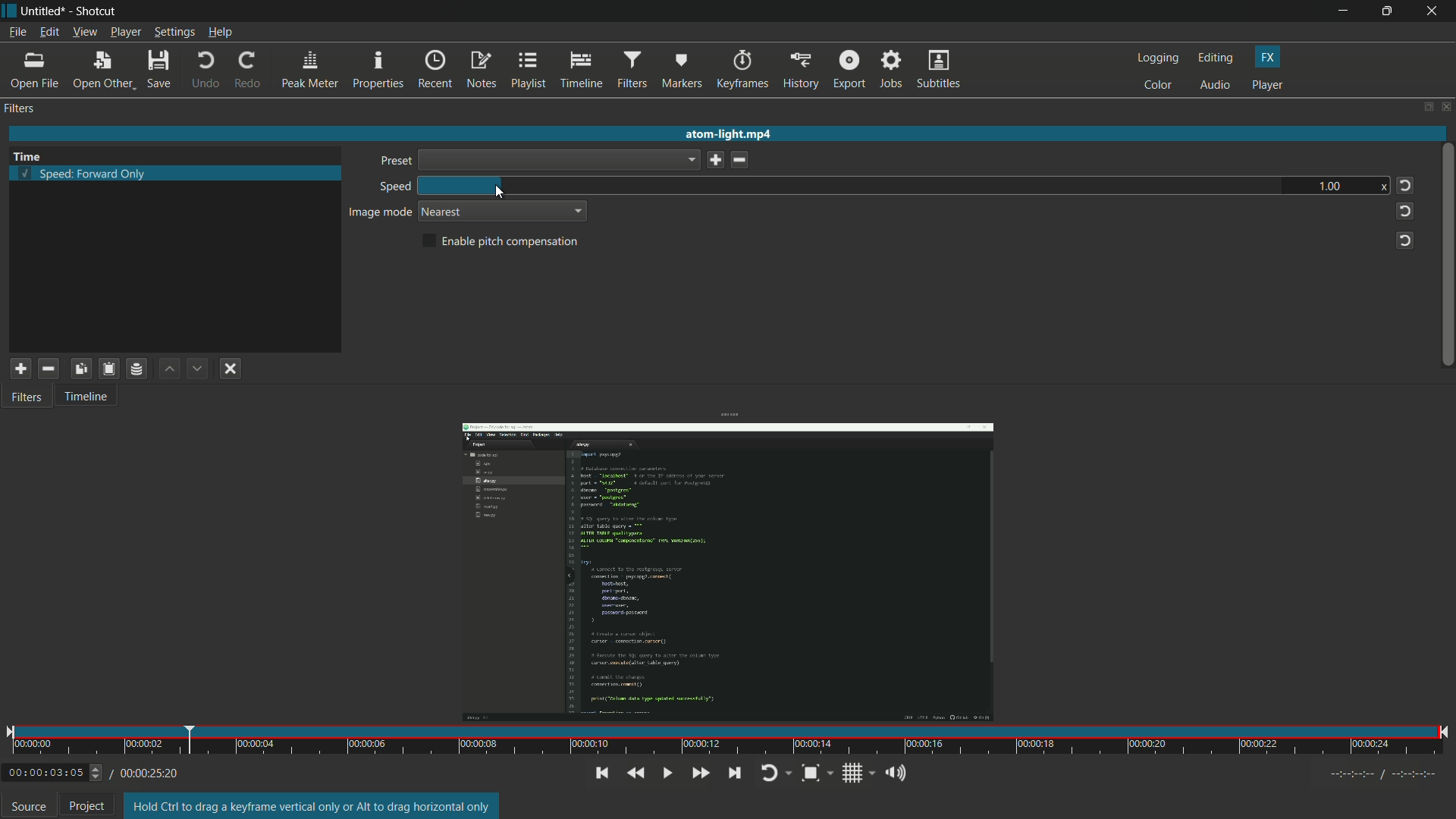 Image resolution: width=1456 pixels, height=819 pixels. Describe the element at coordinates (98, 11) in the screenshot. I see `Shotcut` at that location.